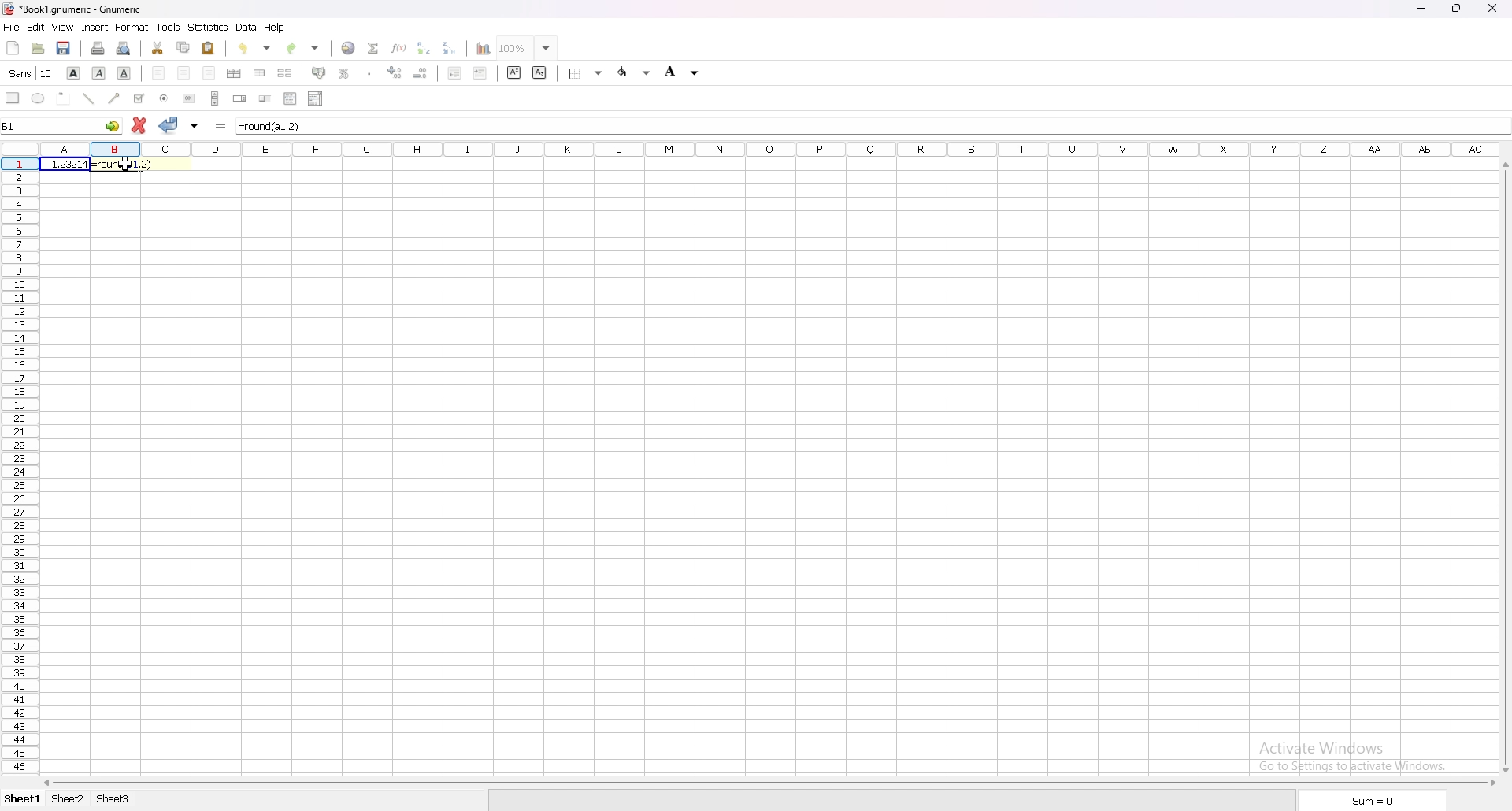  Describe the element at coordinates (169, 125) in the screenshot. I see `accept changes` at that location.